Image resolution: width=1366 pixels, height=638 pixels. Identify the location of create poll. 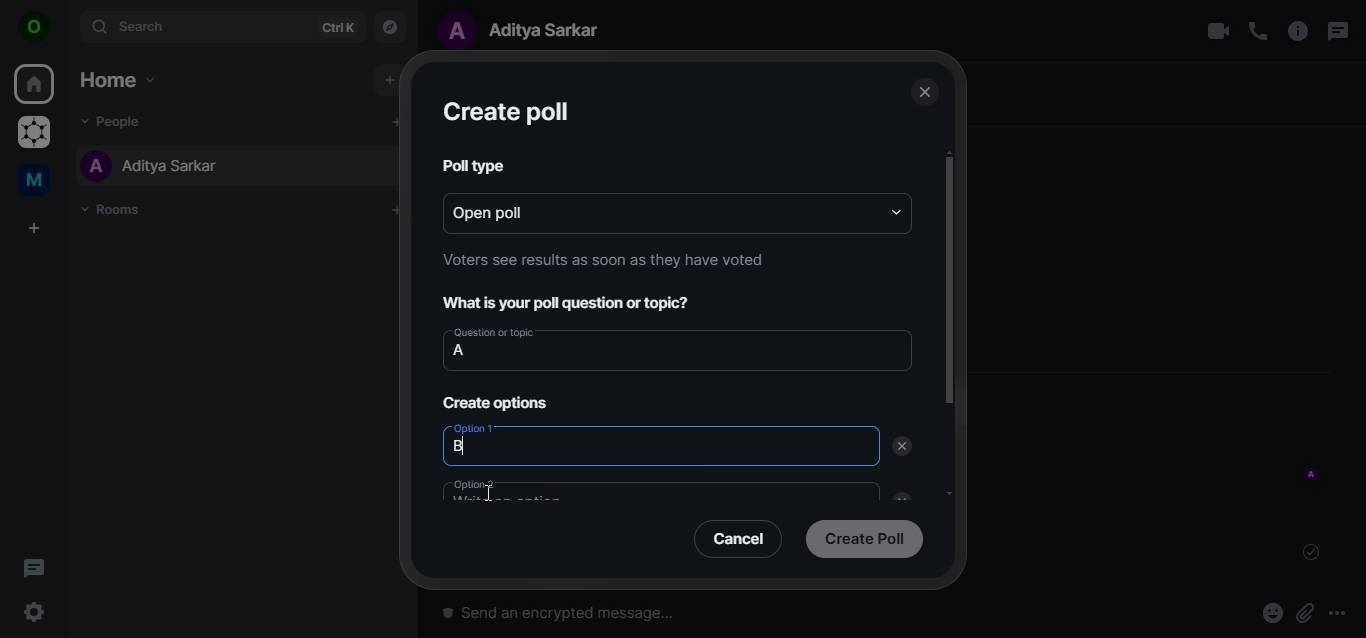
(505, 113).